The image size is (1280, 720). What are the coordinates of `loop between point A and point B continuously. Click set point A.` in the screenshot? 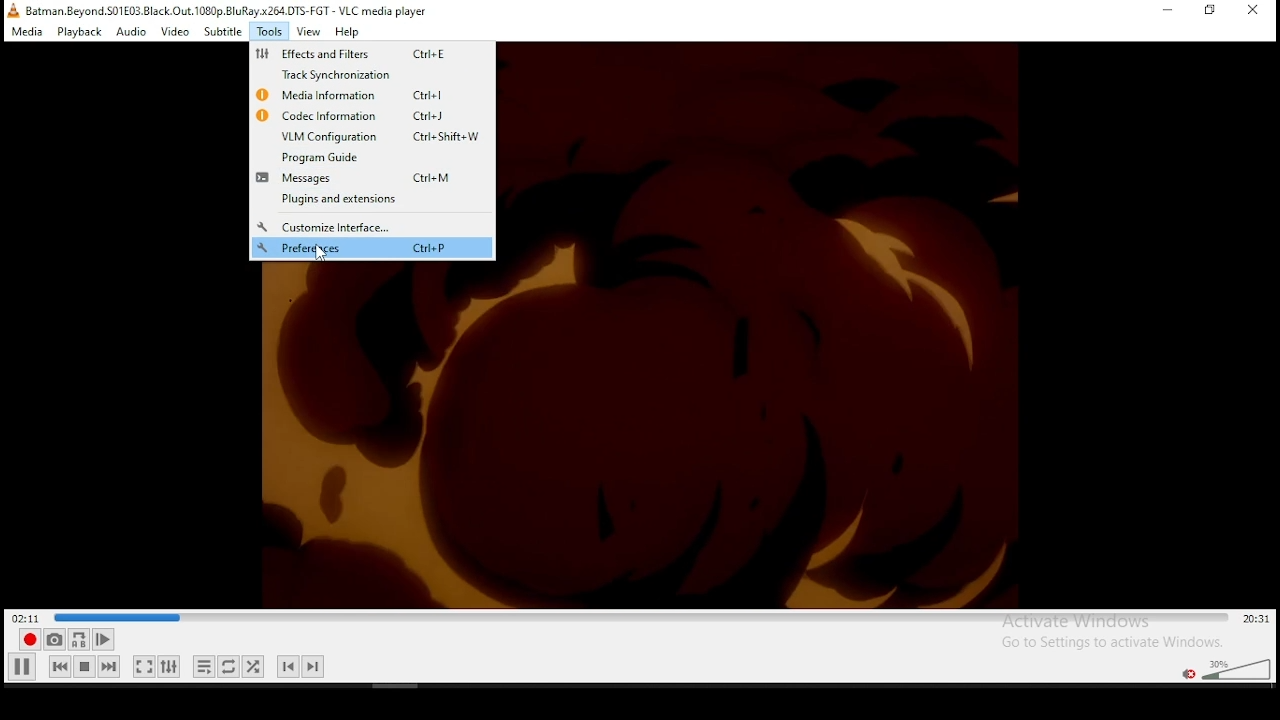 It's located at (78, 640).